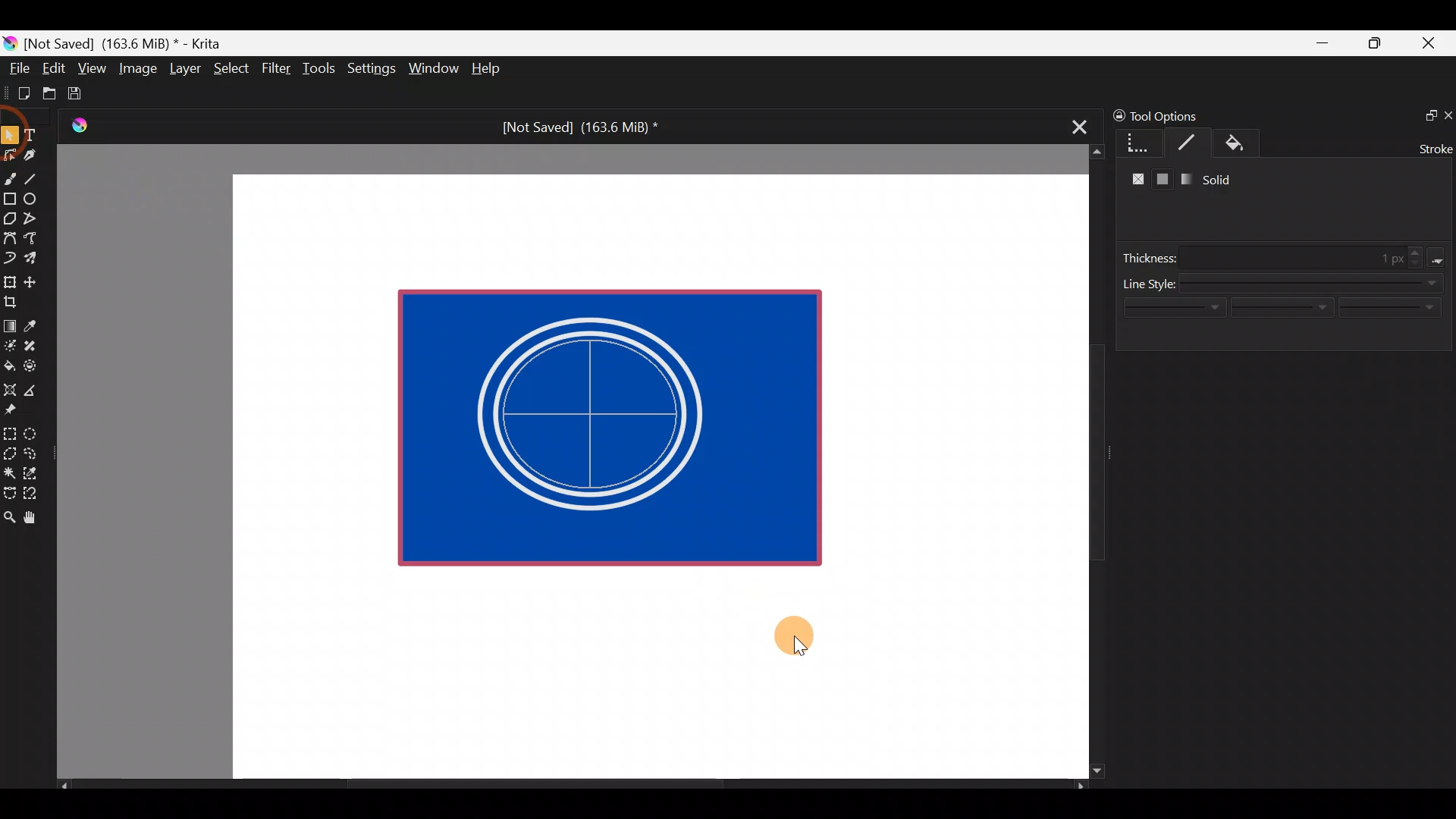 Image resolution: width=1456 pixels, height=819 pixels. What do you see at coordinates (36, 431) in the screenshot?
I see `Elliptical selection tool` at bounding box center [36, 431].